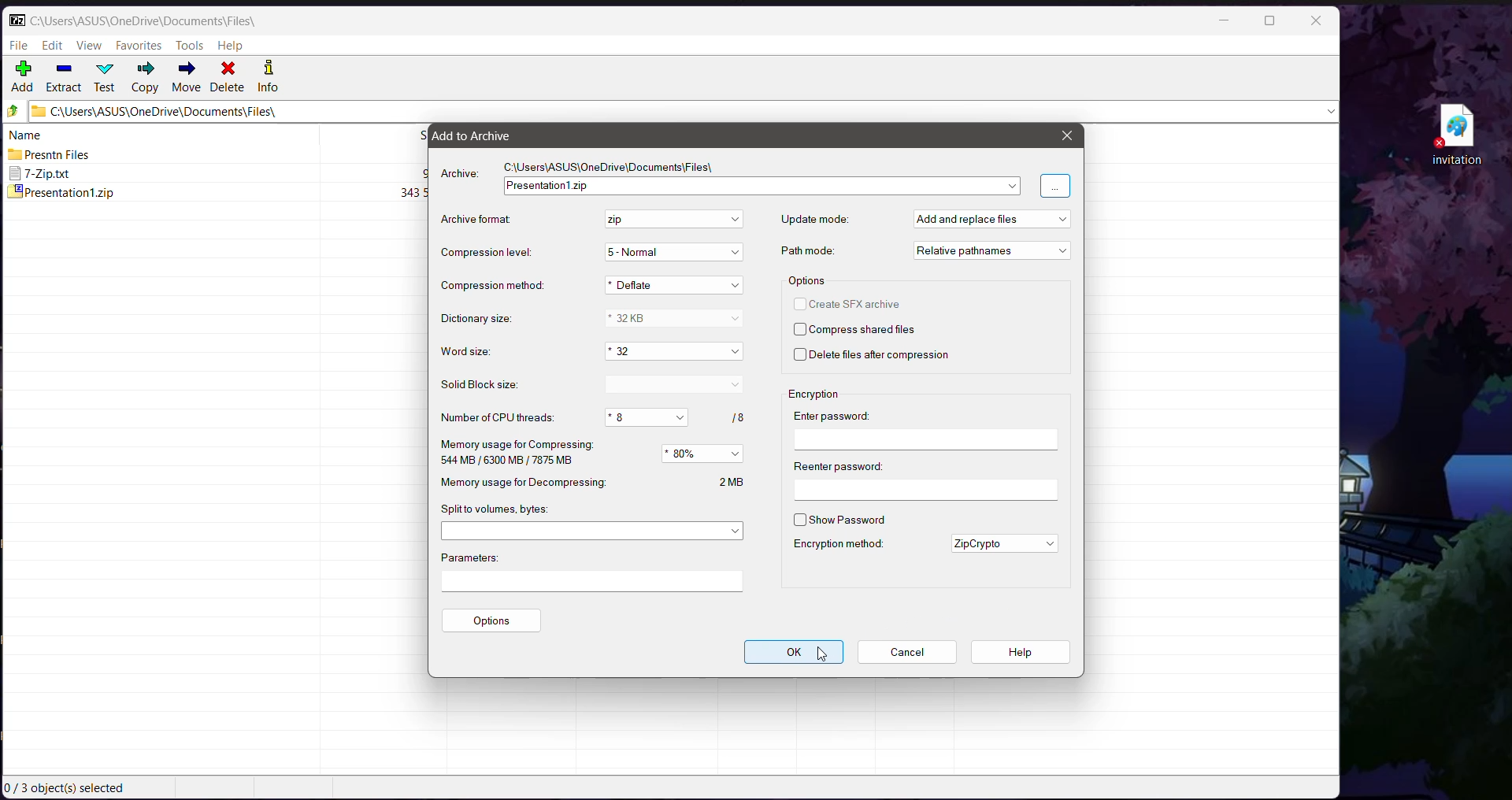  What do you see at coordinates (24, 78) in the screenshot?
I see `Add` at bounding box center [24, 78].